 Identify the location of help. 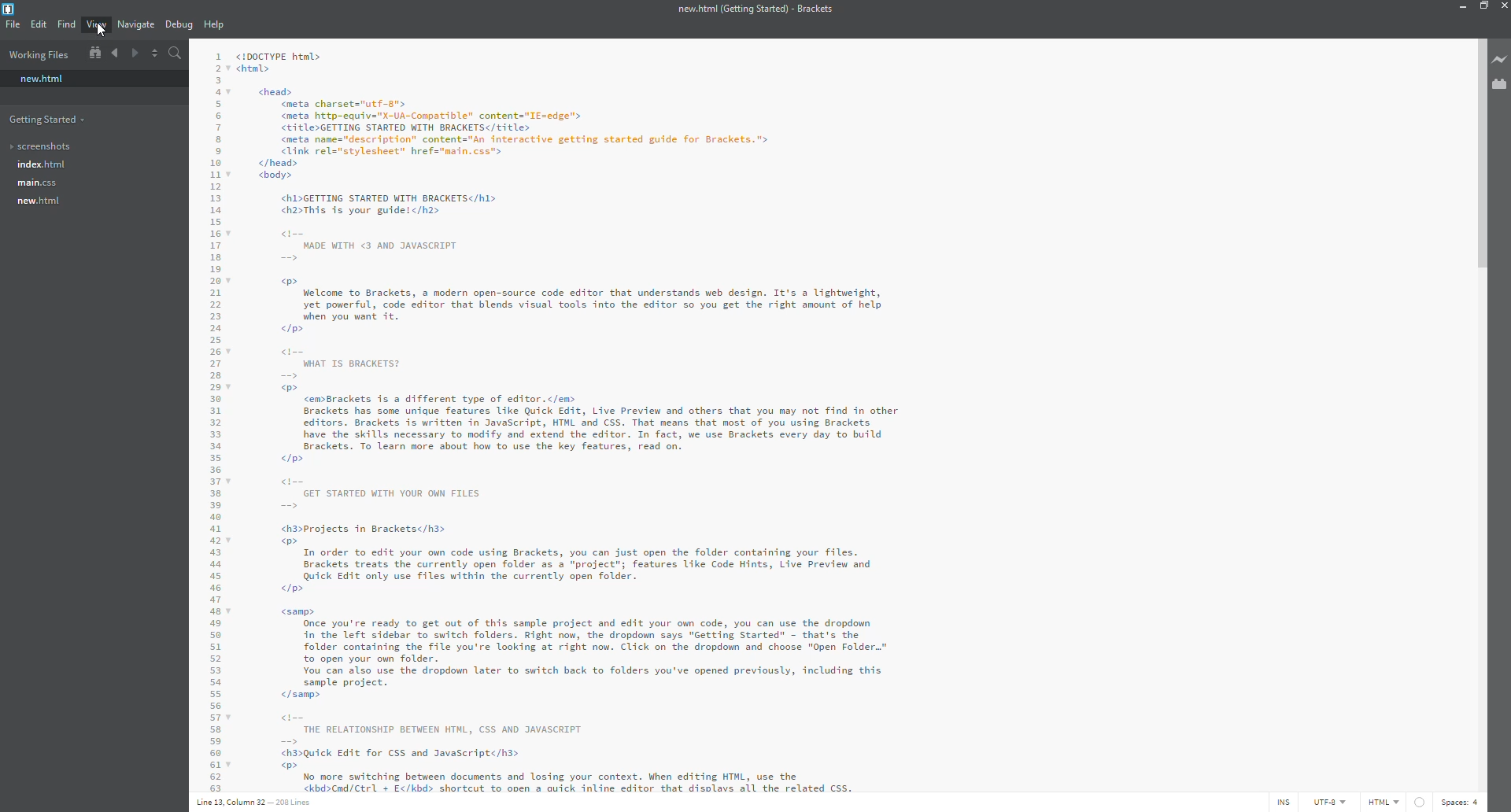
(212, 24).